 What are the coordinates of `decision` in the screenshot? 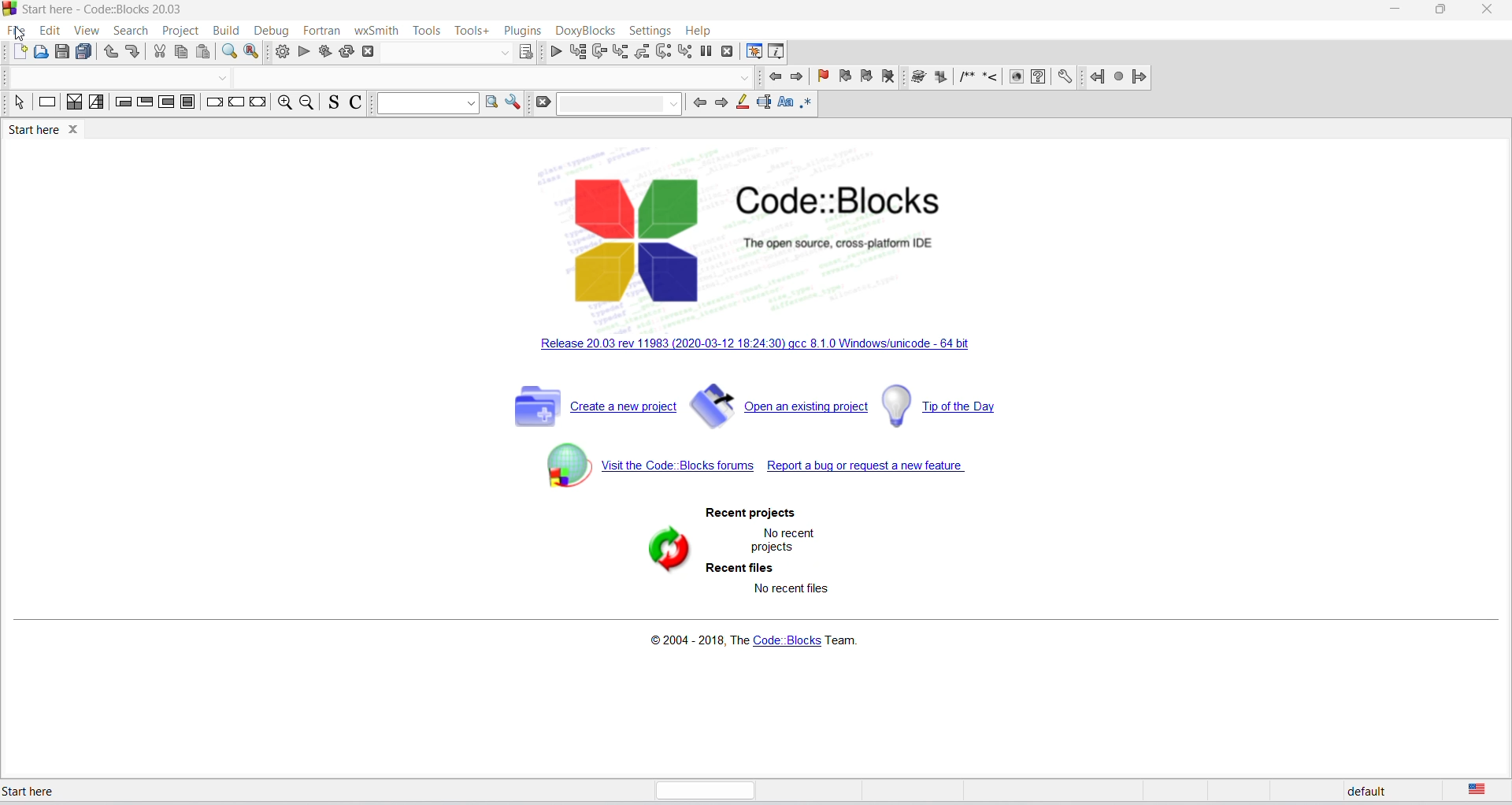 It's located at (50, 103).